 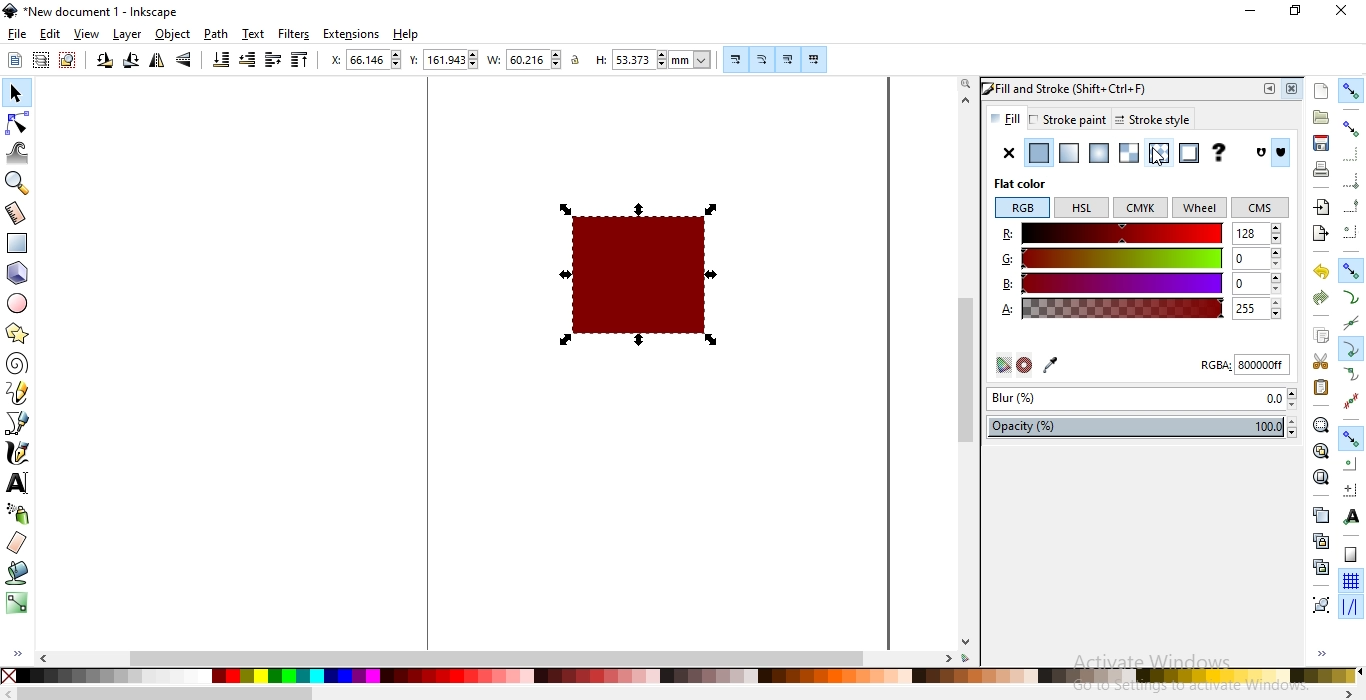 What do you see at coordinates (1261, 208) in the screenshot?
I see `CMS` at bounding box center [1261, 208].